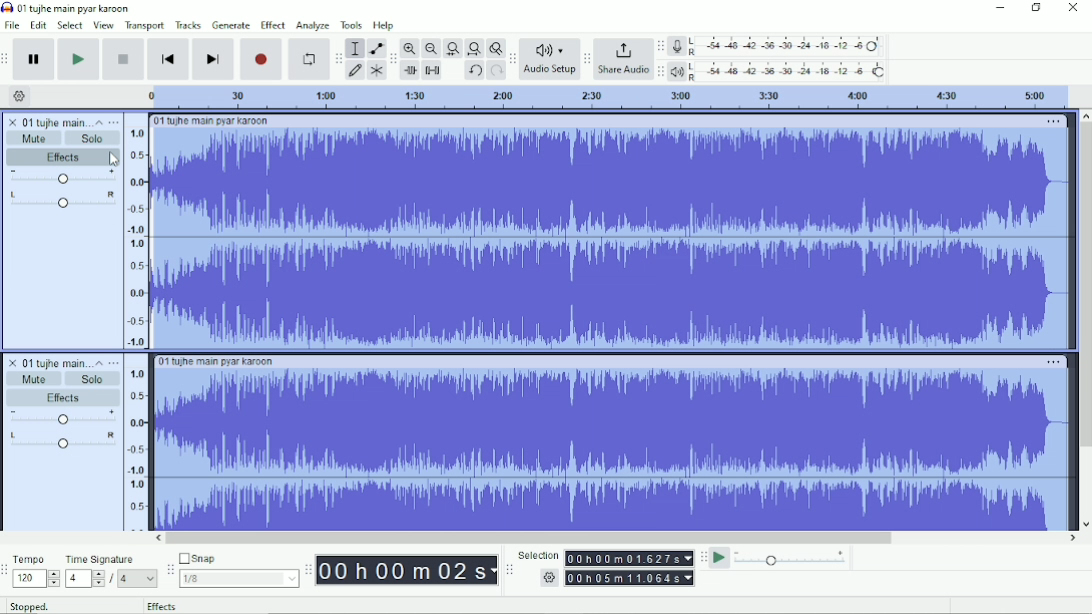 The height and width of the screenshot is (614, 1092). What do you see at coordinates (392, 59) in the screenshot?
I see `Audacity edit toolbar` at bounding box center [392, 59].